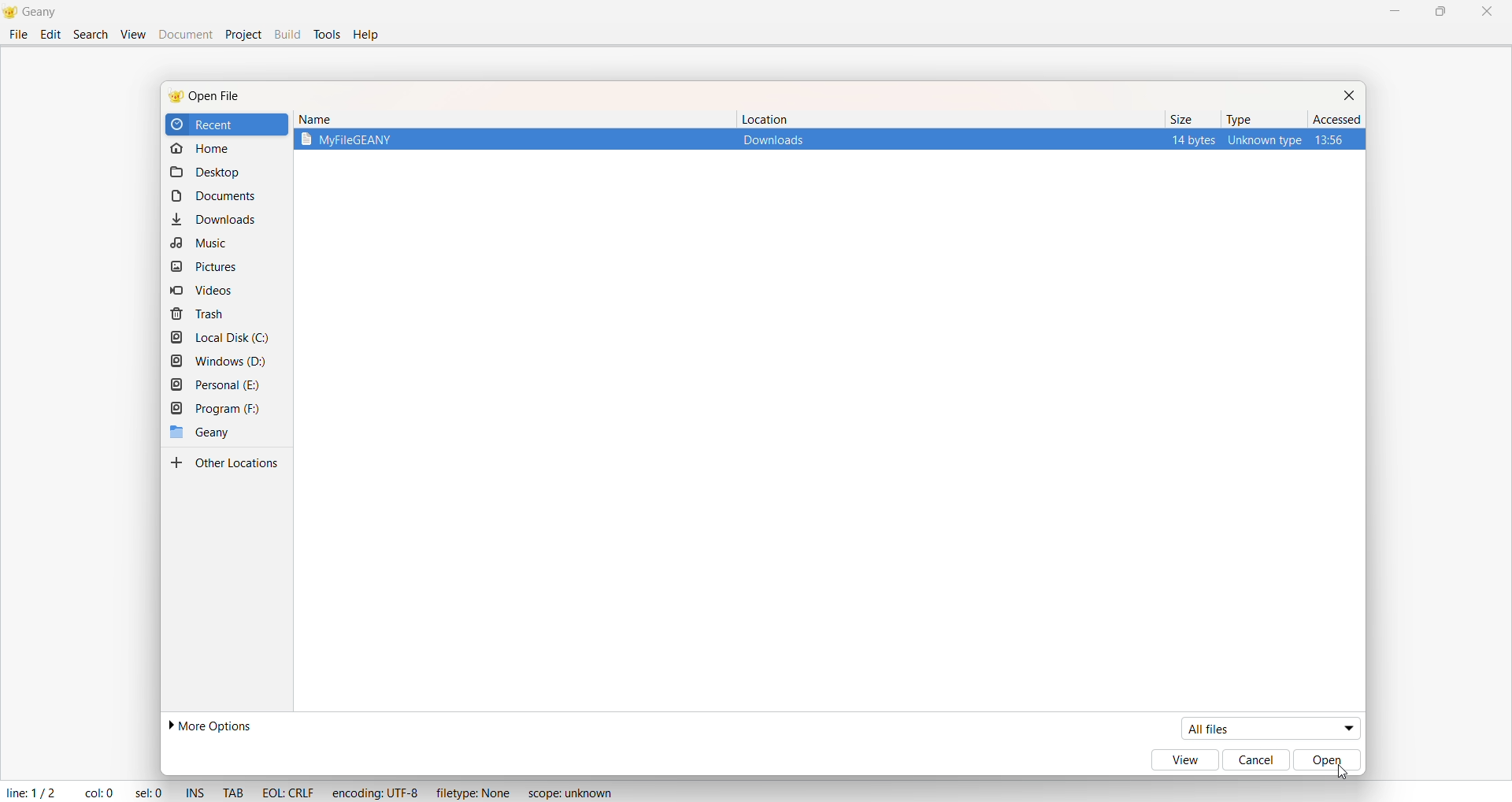 The image size is (1512, 802). What do you see at coordinates (1345, 727) in the screenshot?
I see `dropdown` at bounding box center [1345, 727].